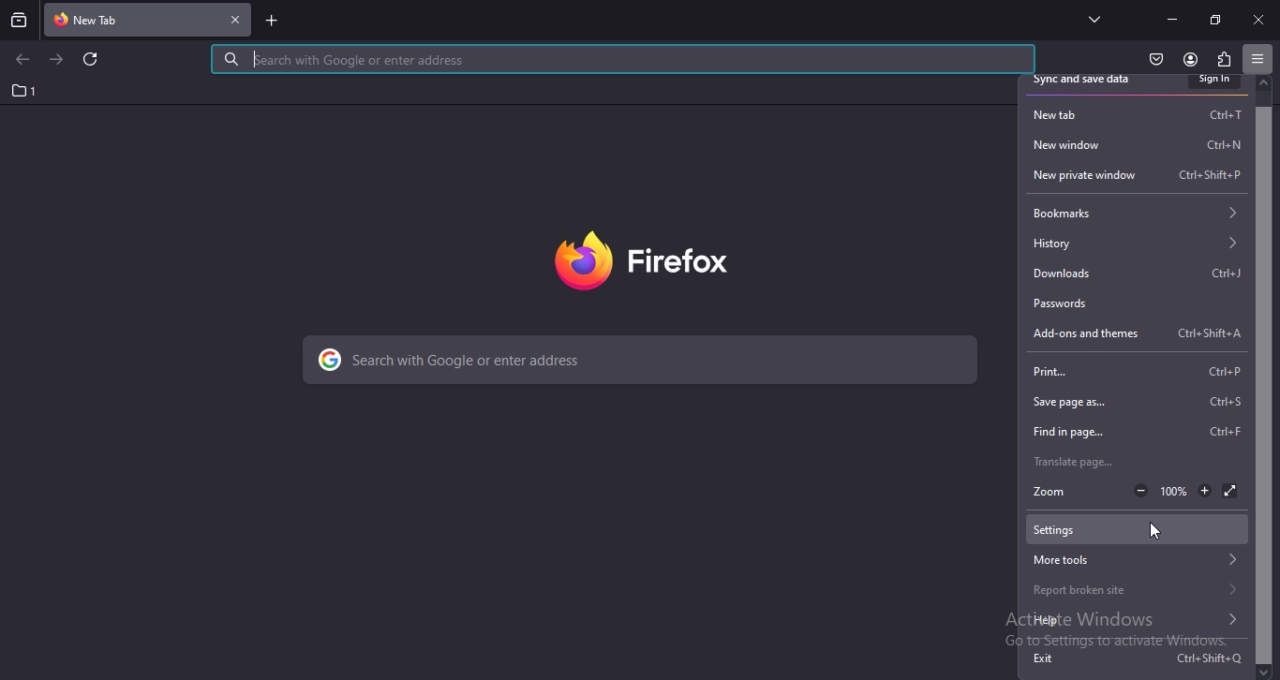 The height and width of the screenshot is (680, 1280). I want to click on search with google or enter address, so click(642, 360).